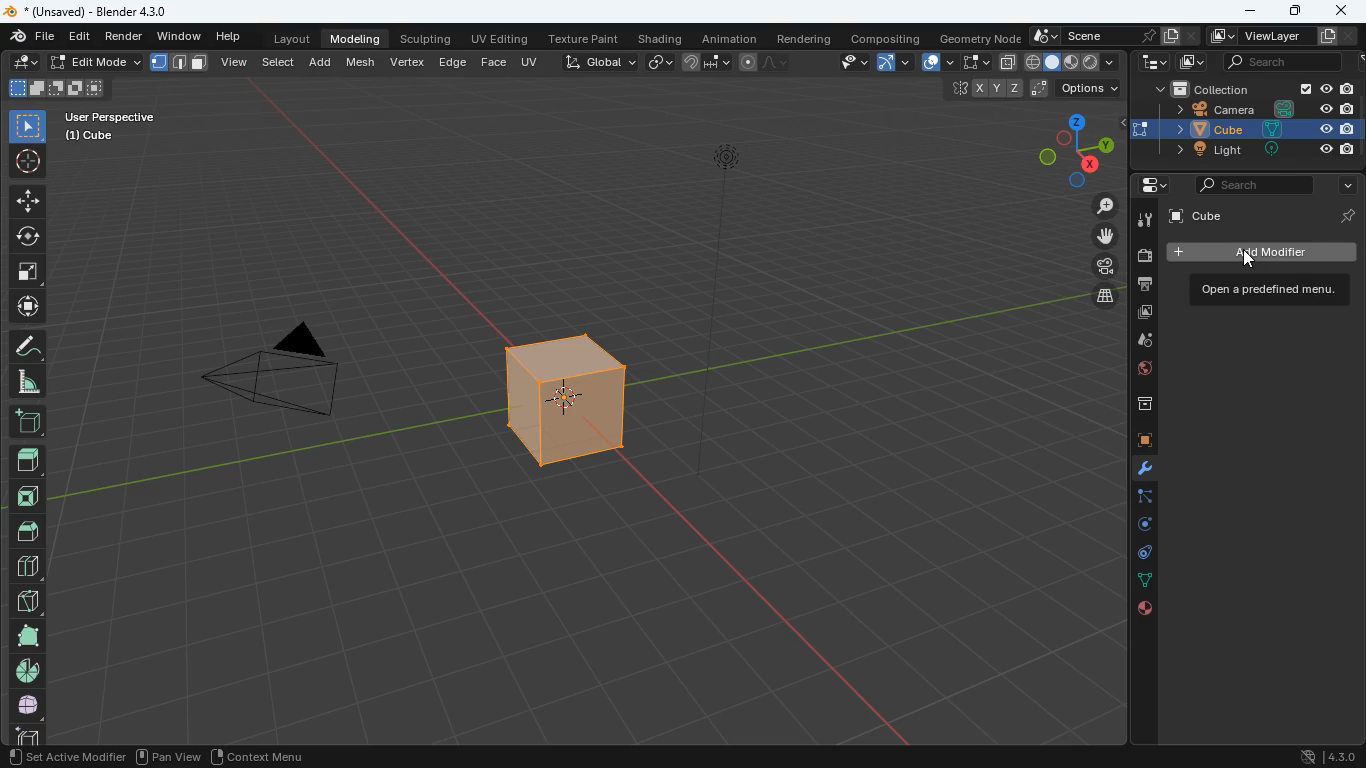 The width and height of the screenshot is (1366, 768). What do you see at coordinates (28, 37) in the screenshot?
I see `file` at bounding box center [28, 37].